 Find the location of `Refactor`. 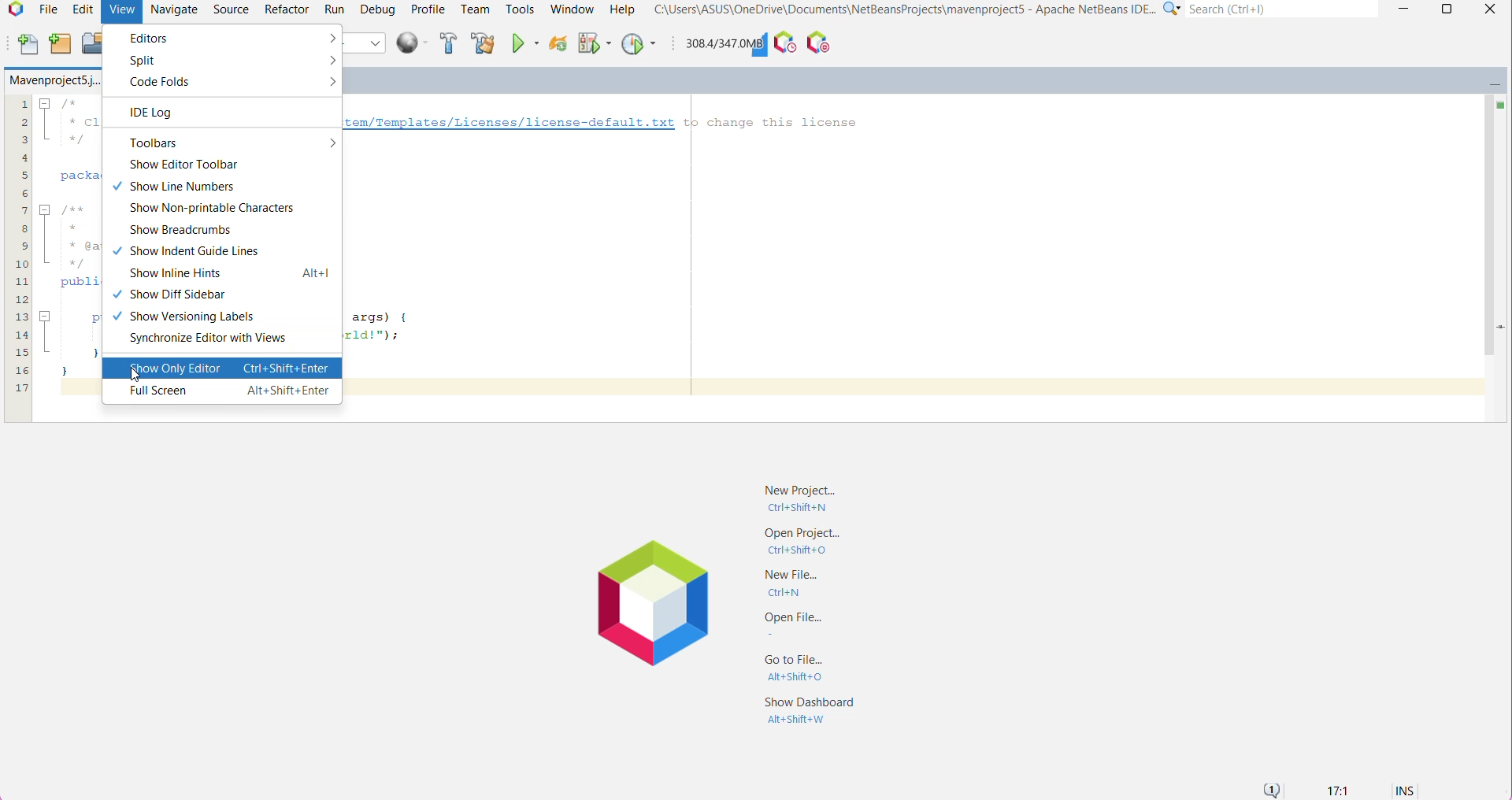

Refactor is located at coordinates (286, 9).